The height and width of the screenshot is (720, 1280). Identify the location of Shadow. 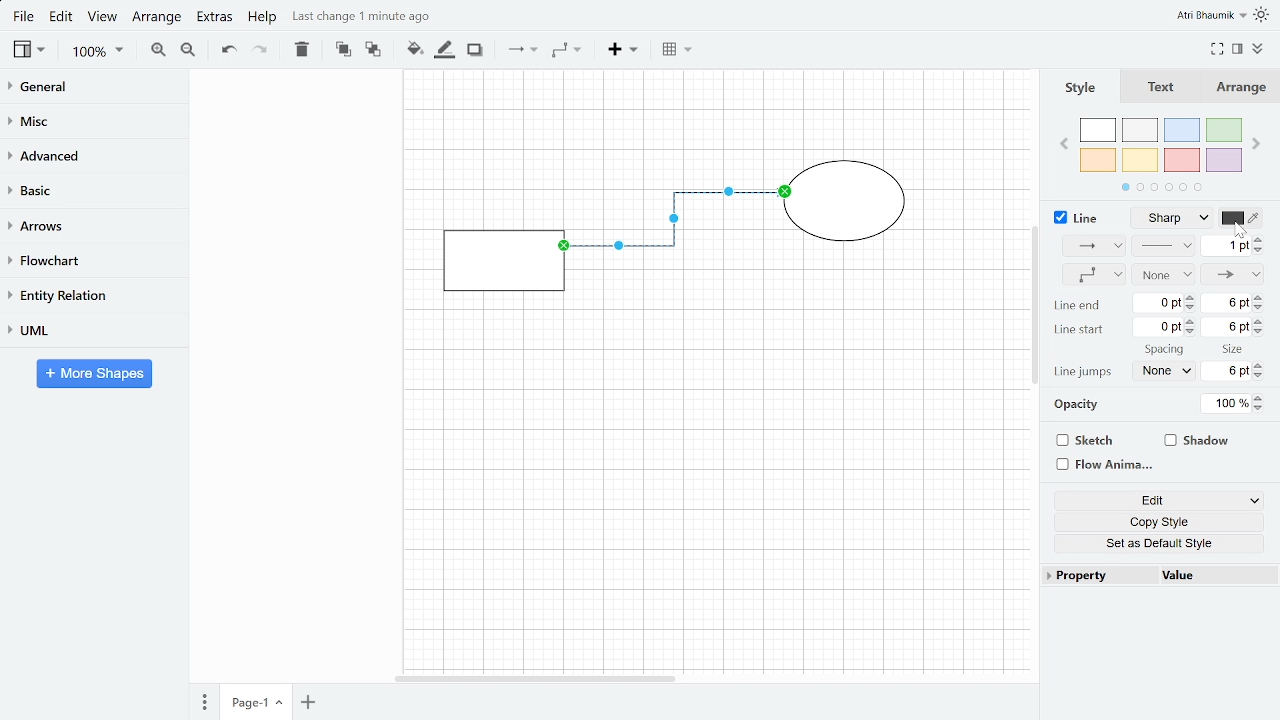
(474, 50).